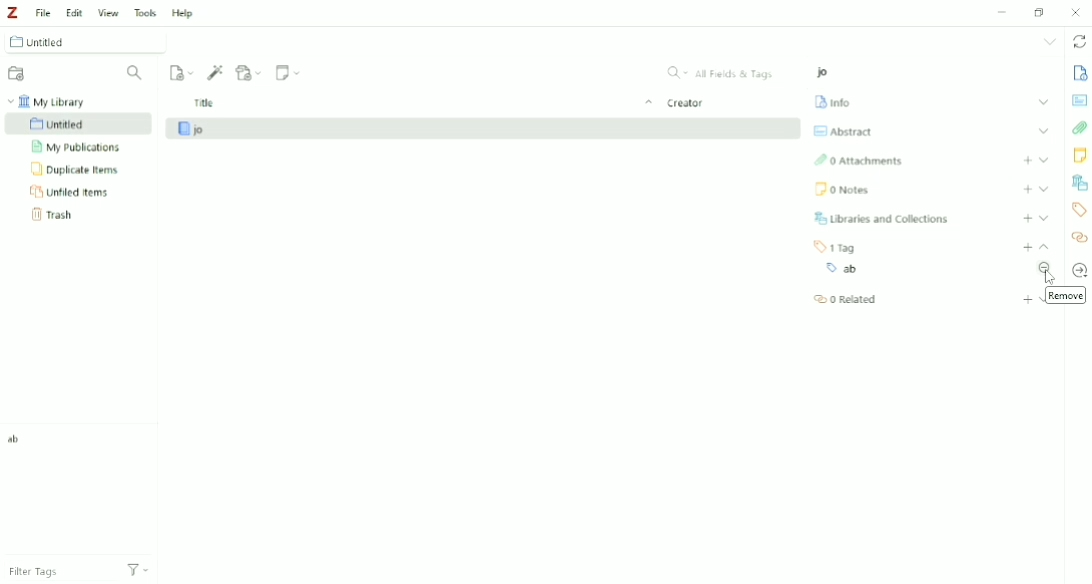  I want to click on New Collection, so click(17, 73).